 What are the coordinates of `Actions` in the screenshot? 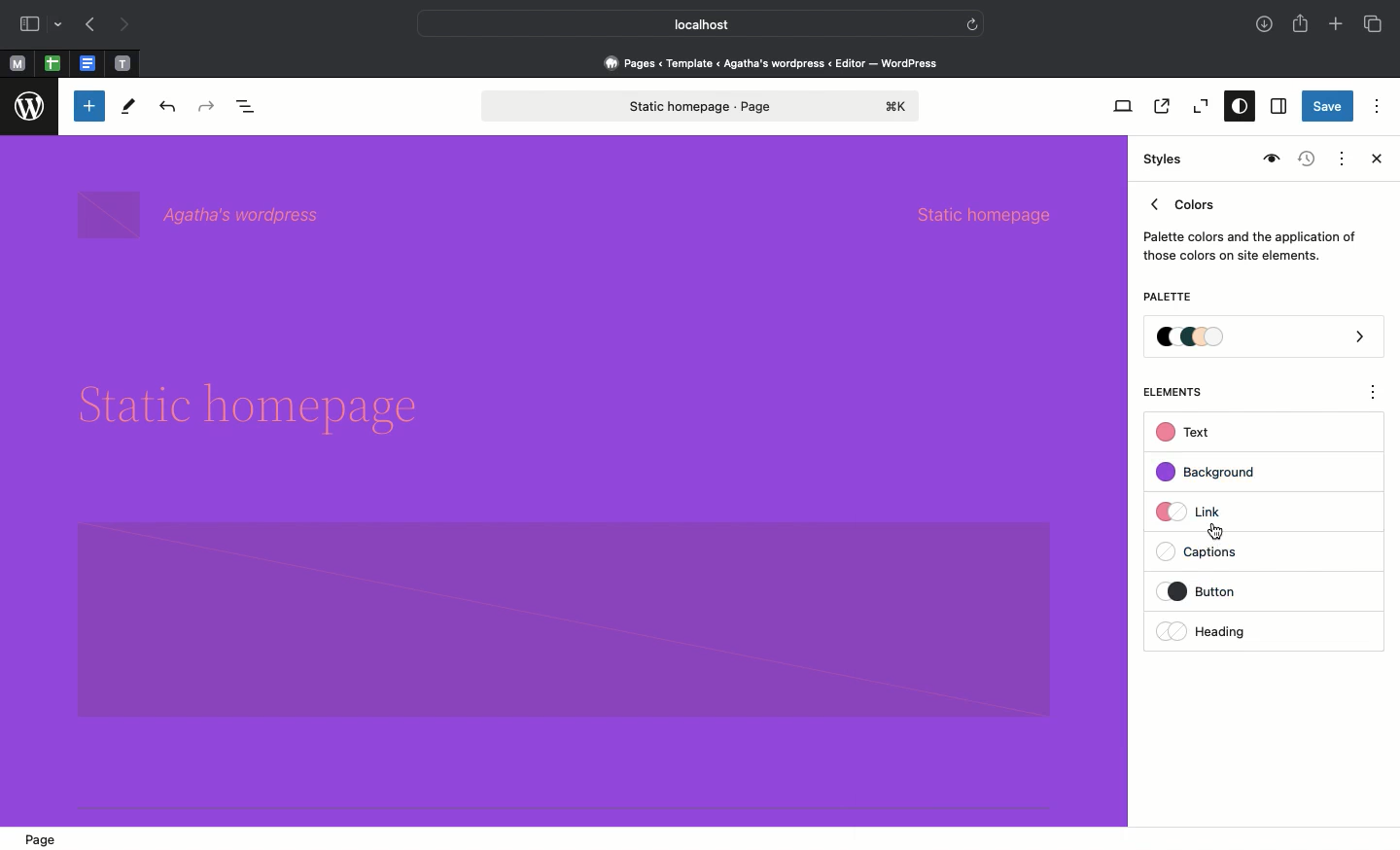 It's located at (1340, 157).